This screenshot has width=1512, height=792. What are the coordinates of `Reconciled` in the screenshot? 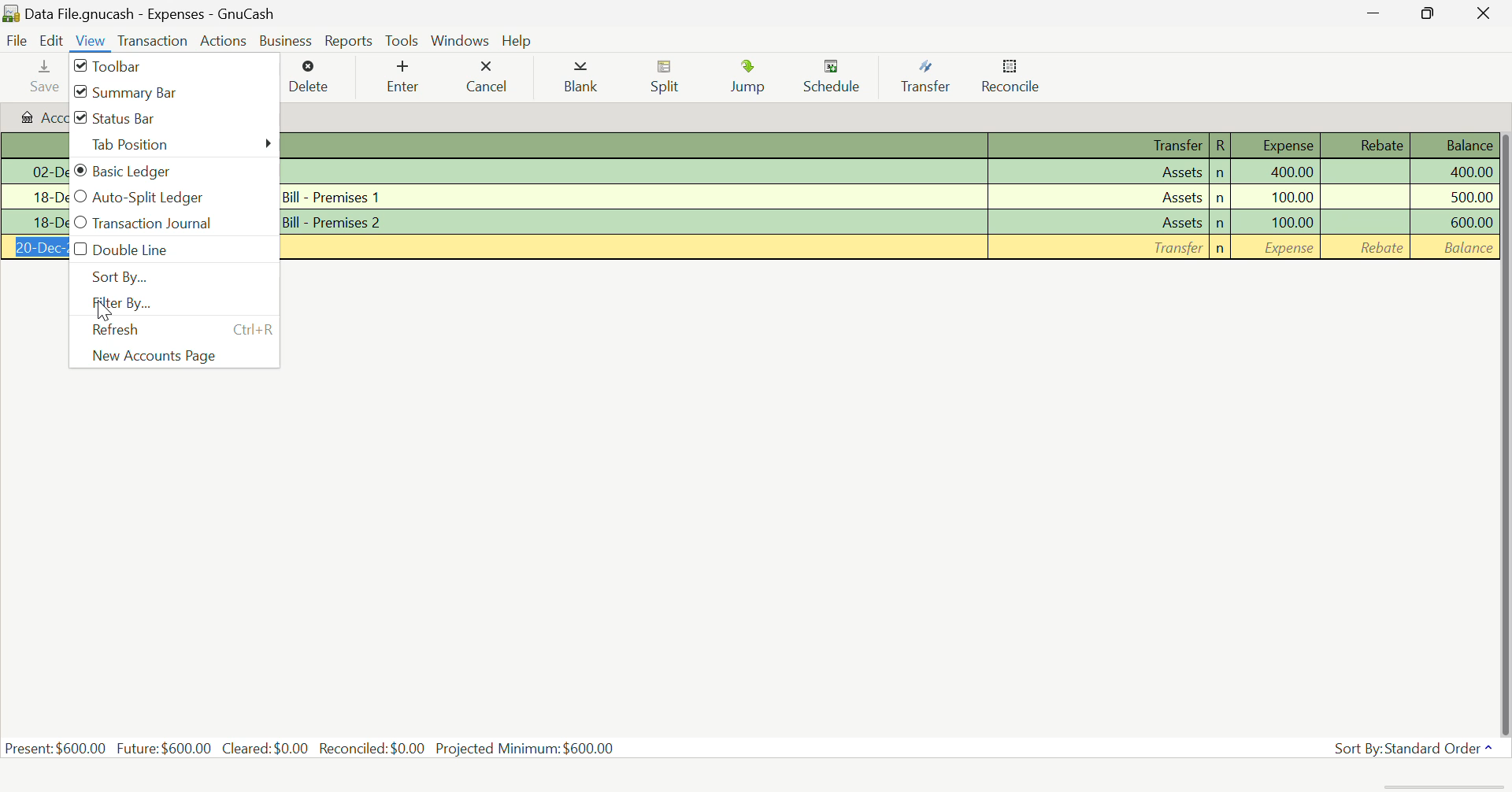 It's located at (372, 749).